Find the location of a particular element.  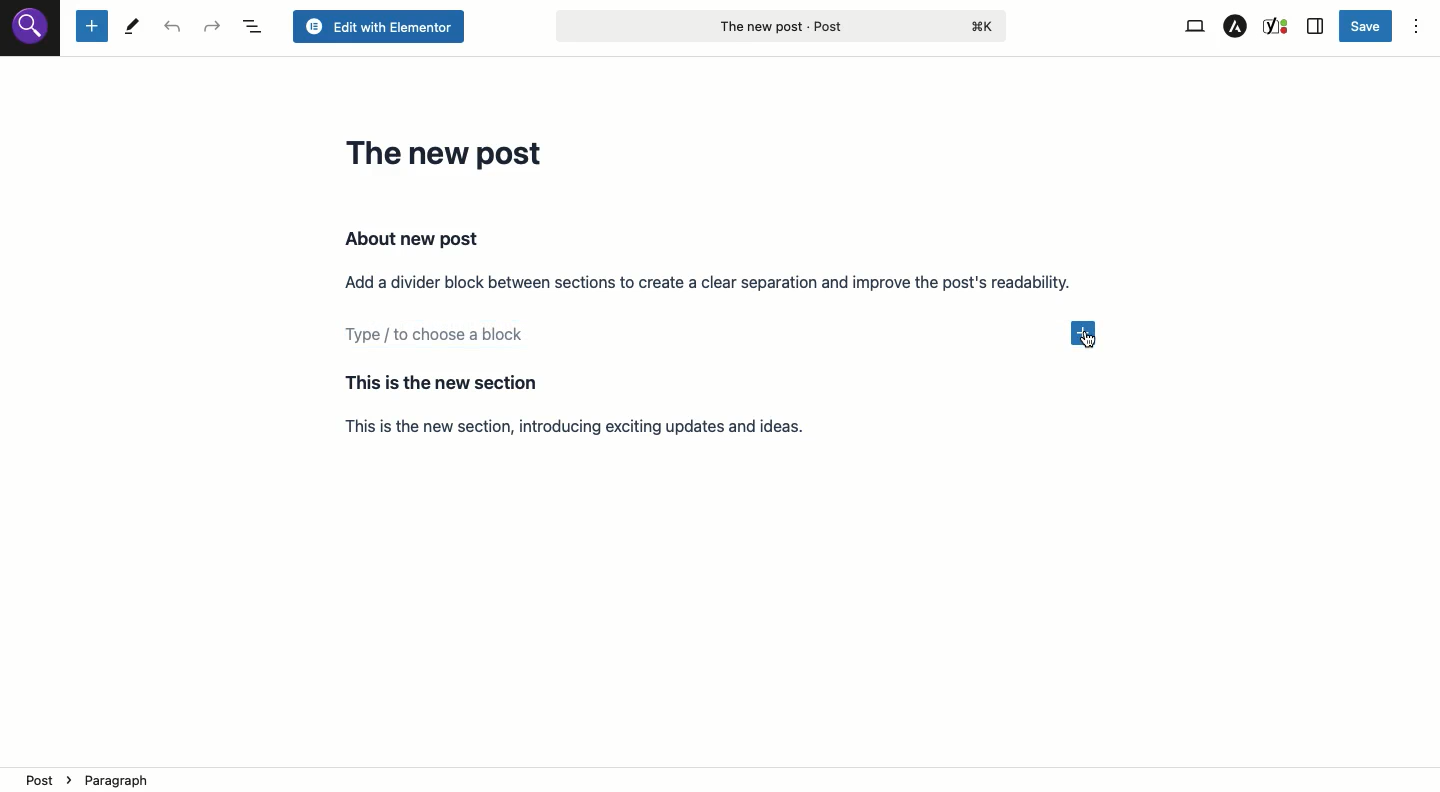

Save is located at coordinates (1367, 25).